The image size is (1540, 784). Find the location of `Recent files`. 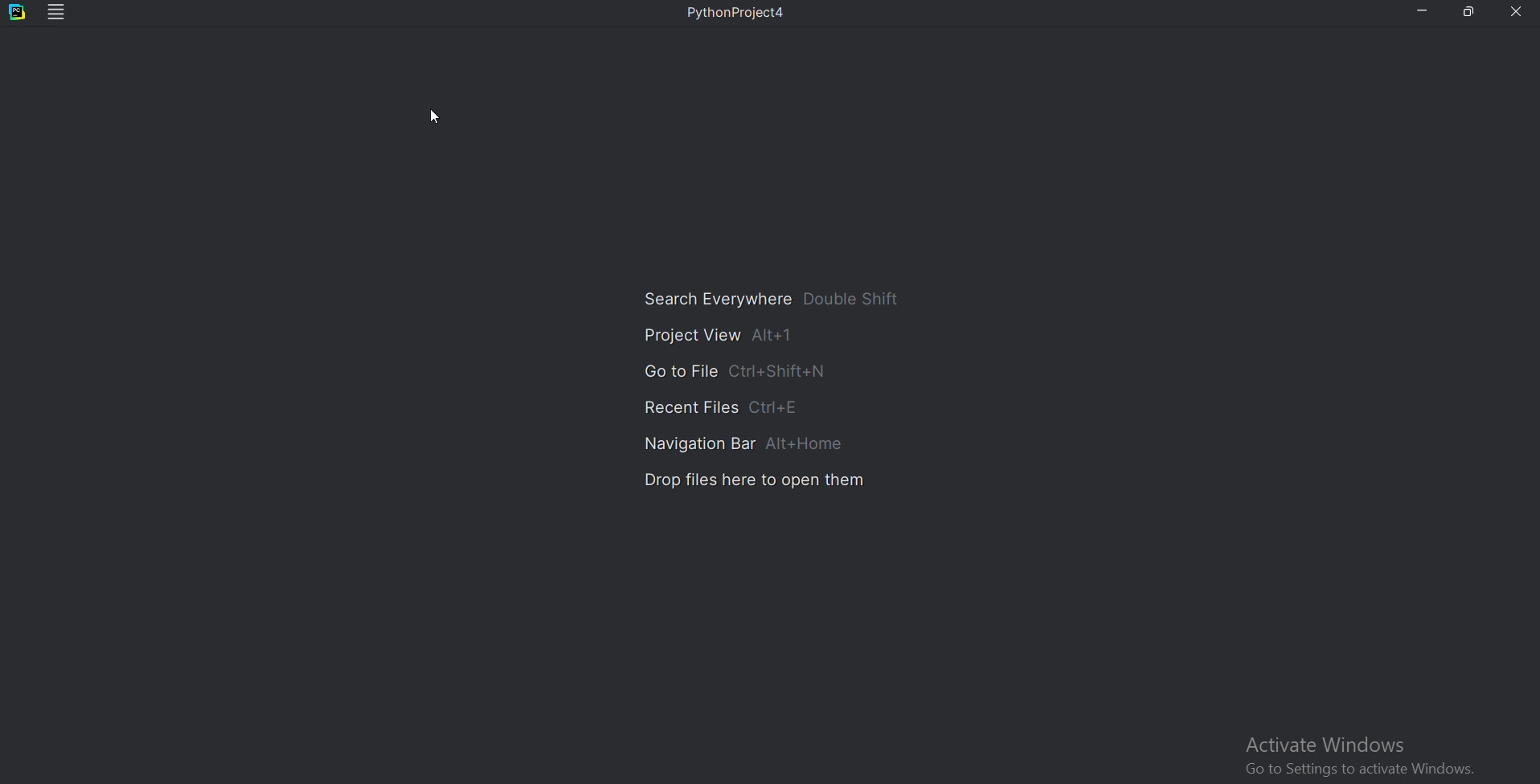

Recent files is located at coordinates (714, 404).